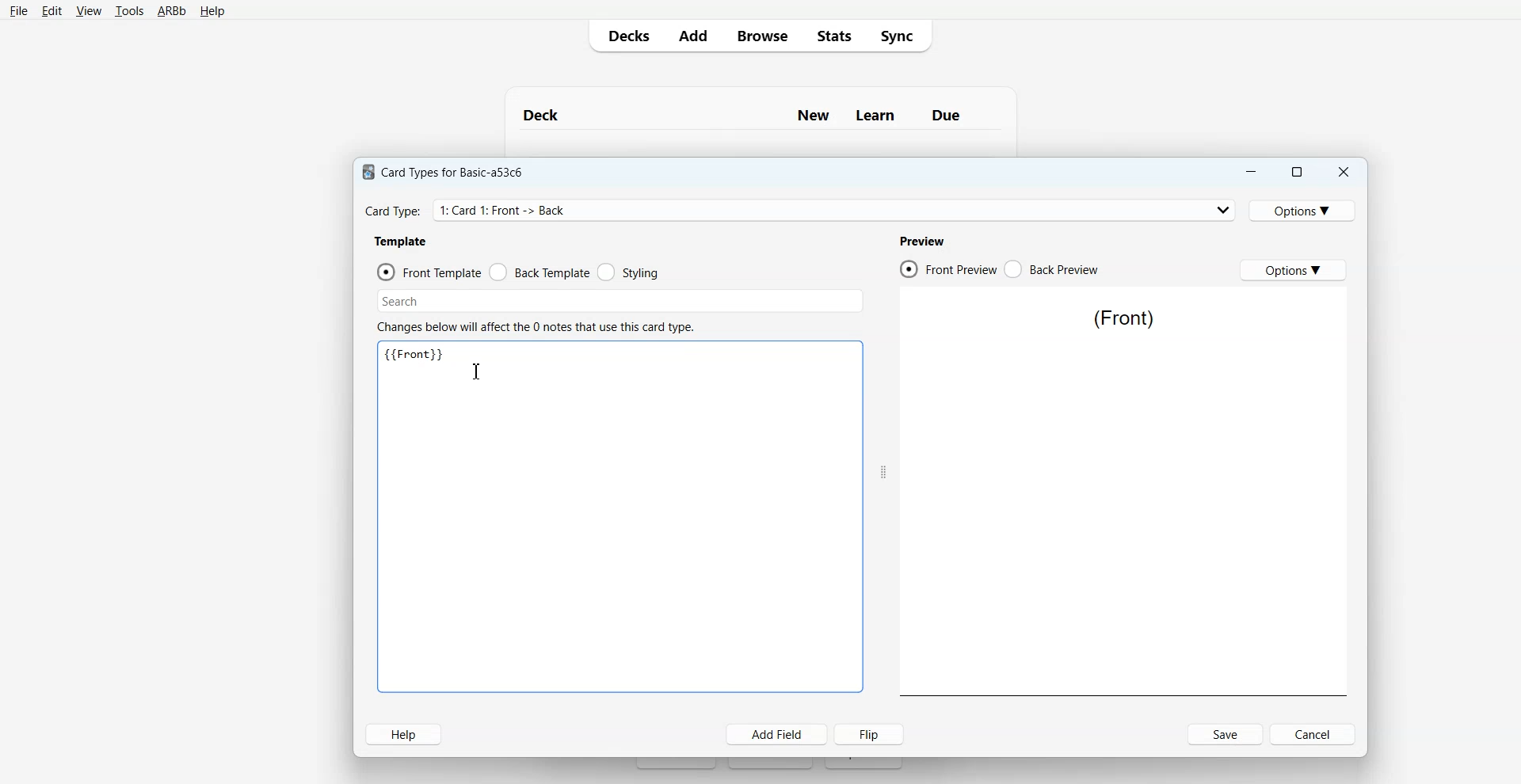  I want to click on Save, so click(1226, 734).